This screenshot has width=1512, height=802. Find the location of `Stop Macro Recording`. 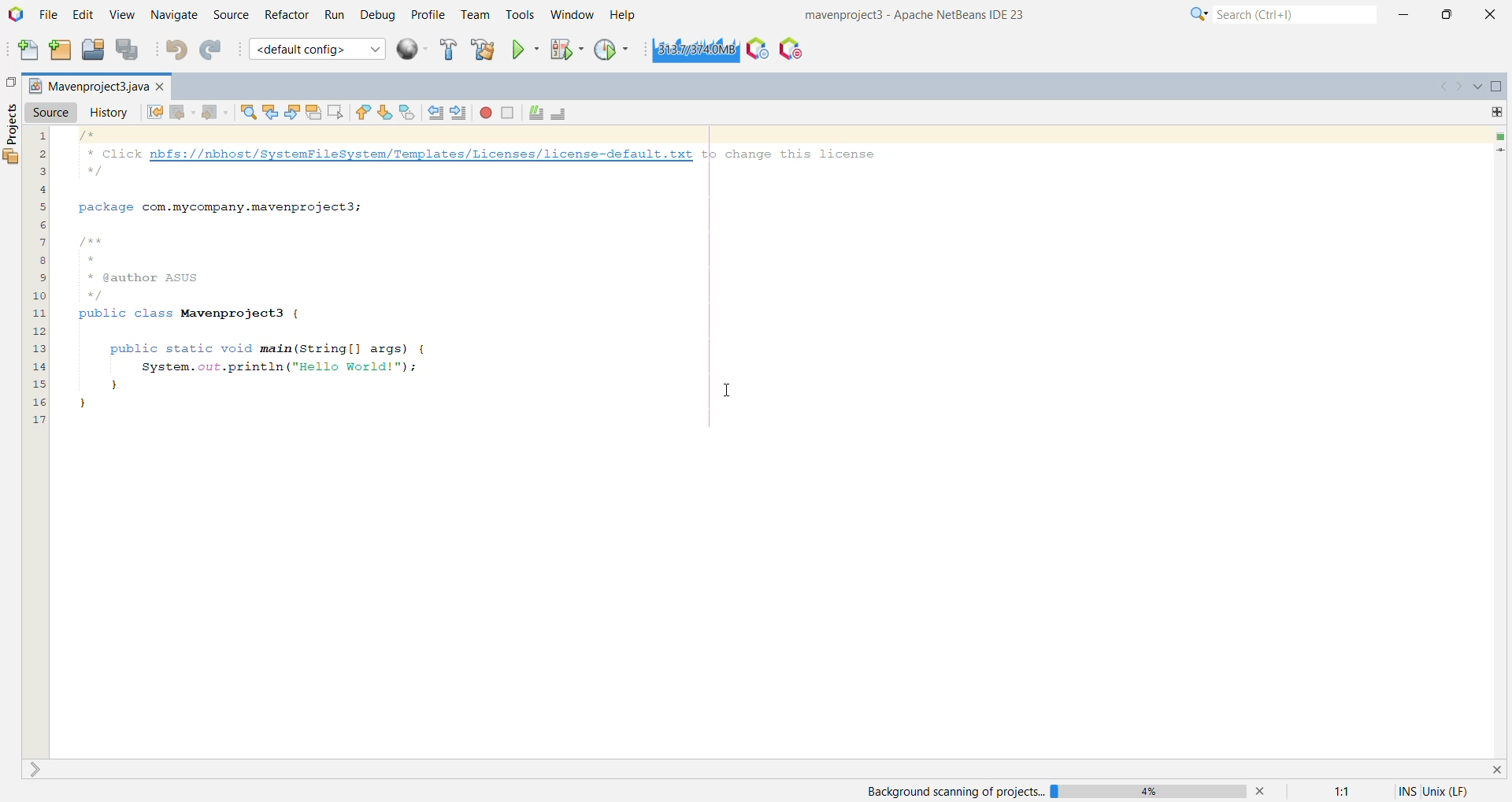

Stop Macro Recording is located at coordinates (506, 113).